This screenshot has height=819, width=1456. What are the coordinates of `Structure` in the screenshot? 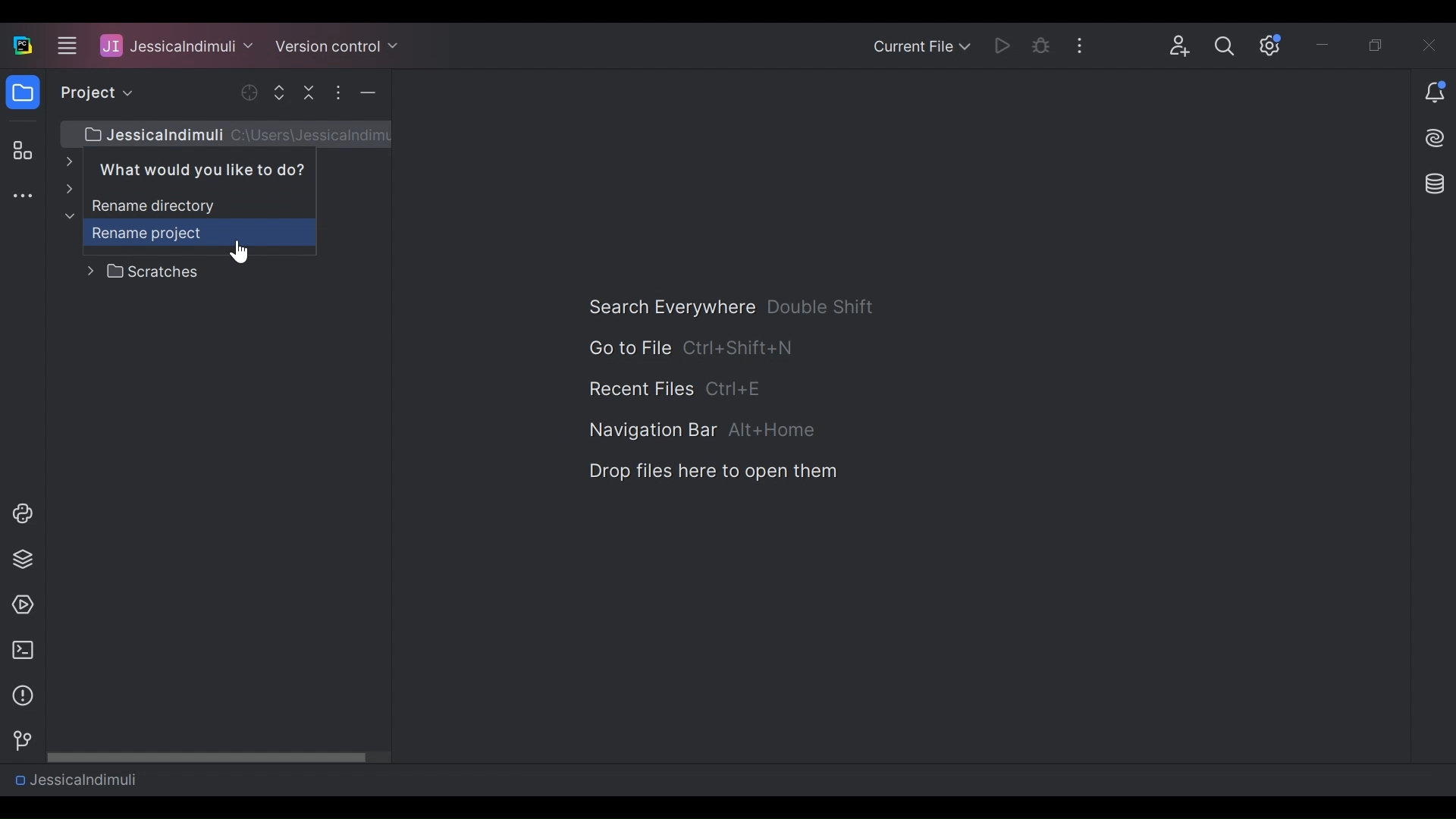 It's located at (20, 152).